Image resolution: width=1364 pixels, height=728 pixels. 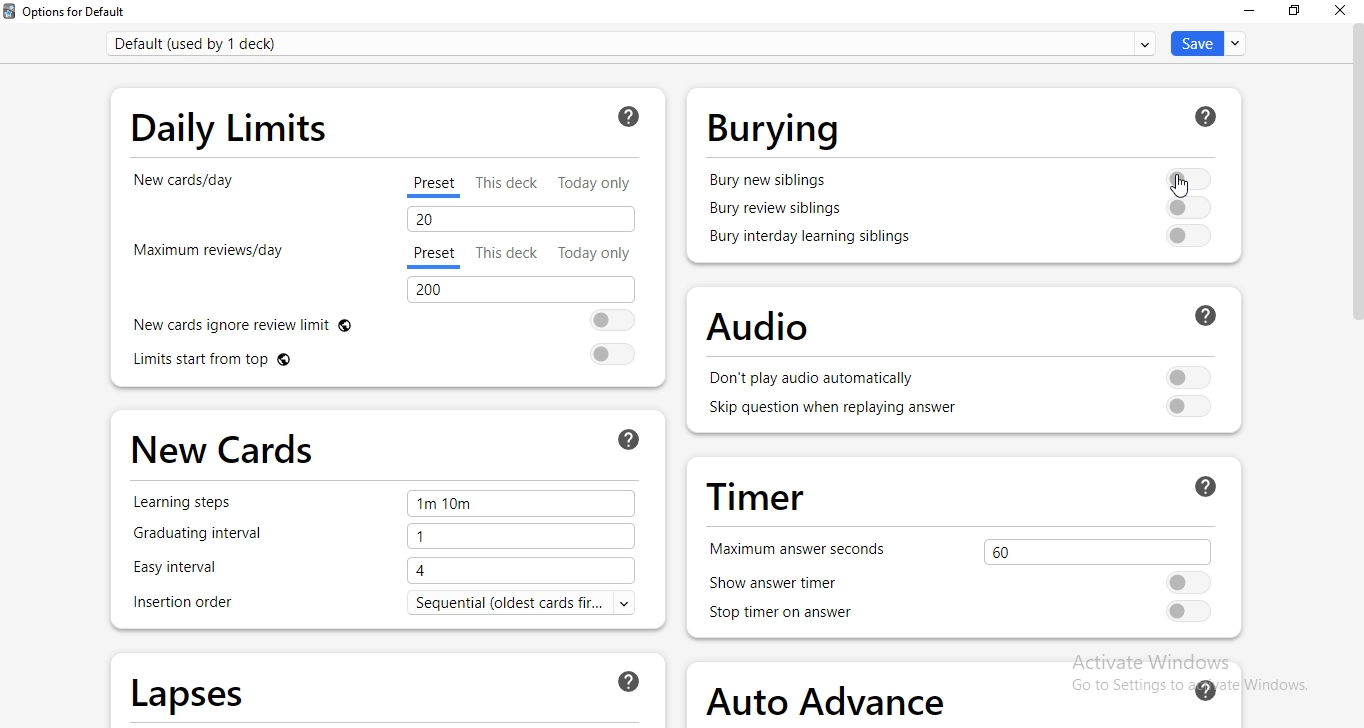 I want to click on show answer time, so click(x=792, y=584).